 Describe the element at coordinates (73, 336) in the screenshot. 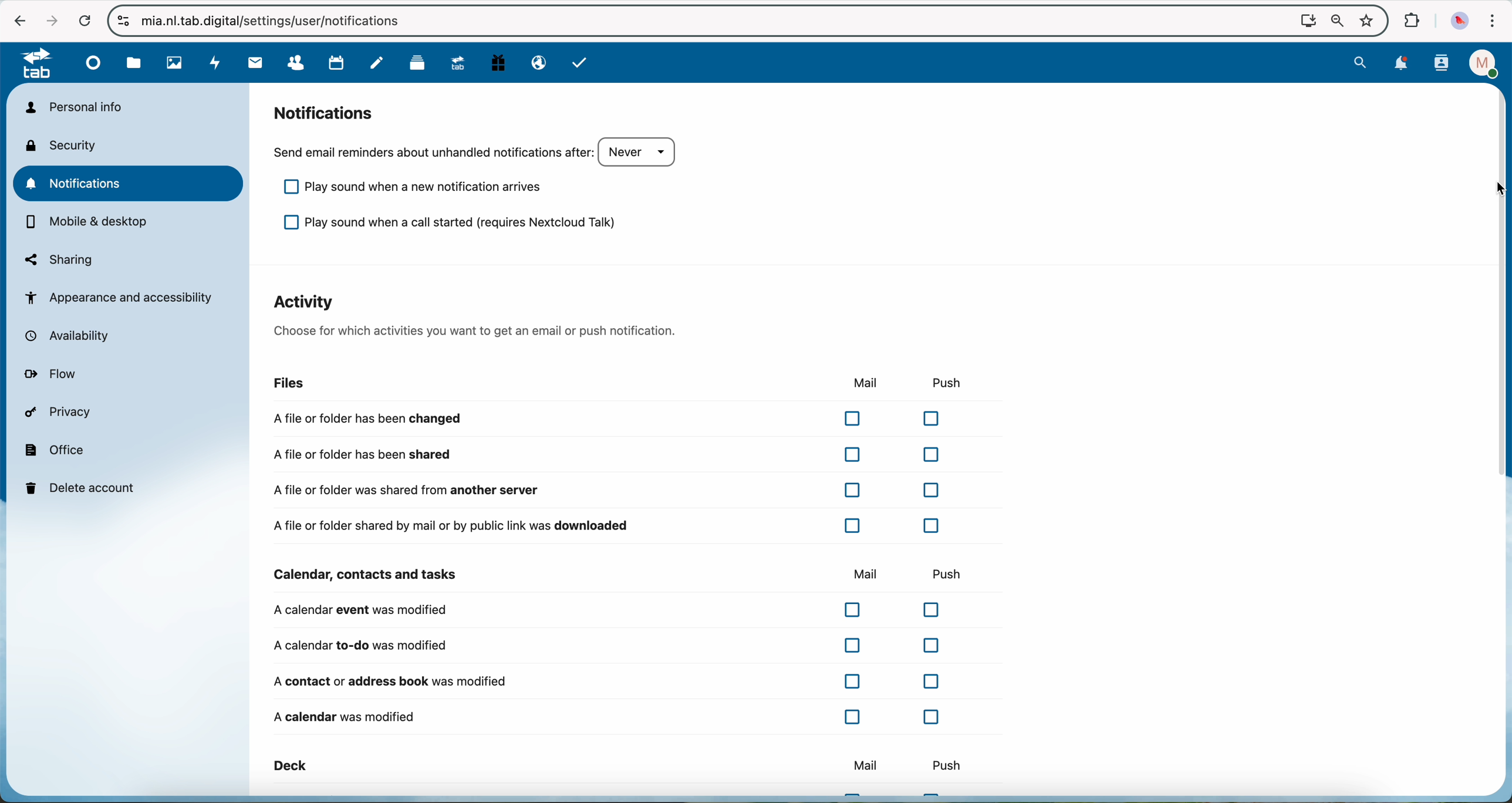

I see `availability` at that location.